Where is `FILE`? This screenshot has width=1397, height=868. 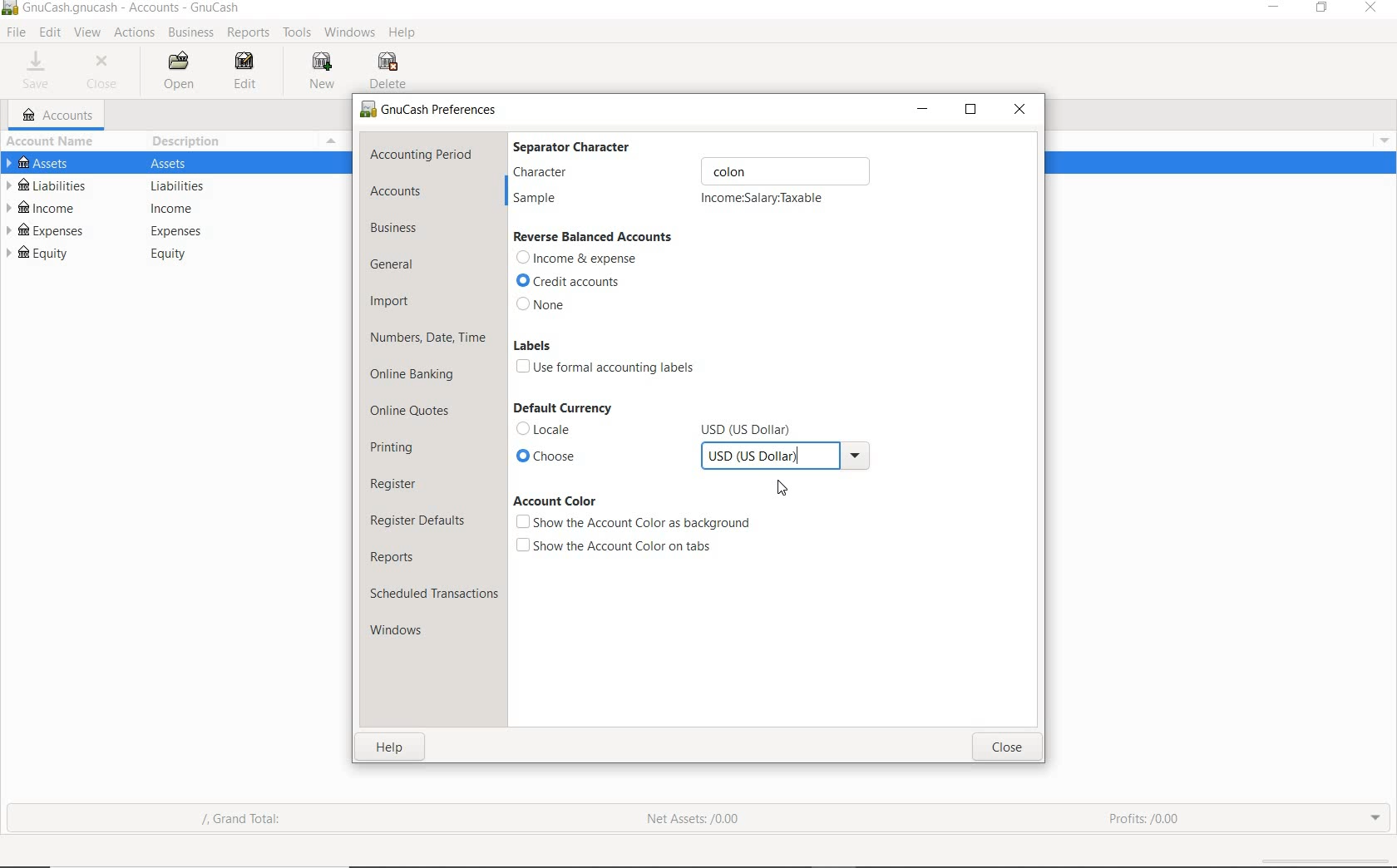
FILE is located at coordinates (15, 33).